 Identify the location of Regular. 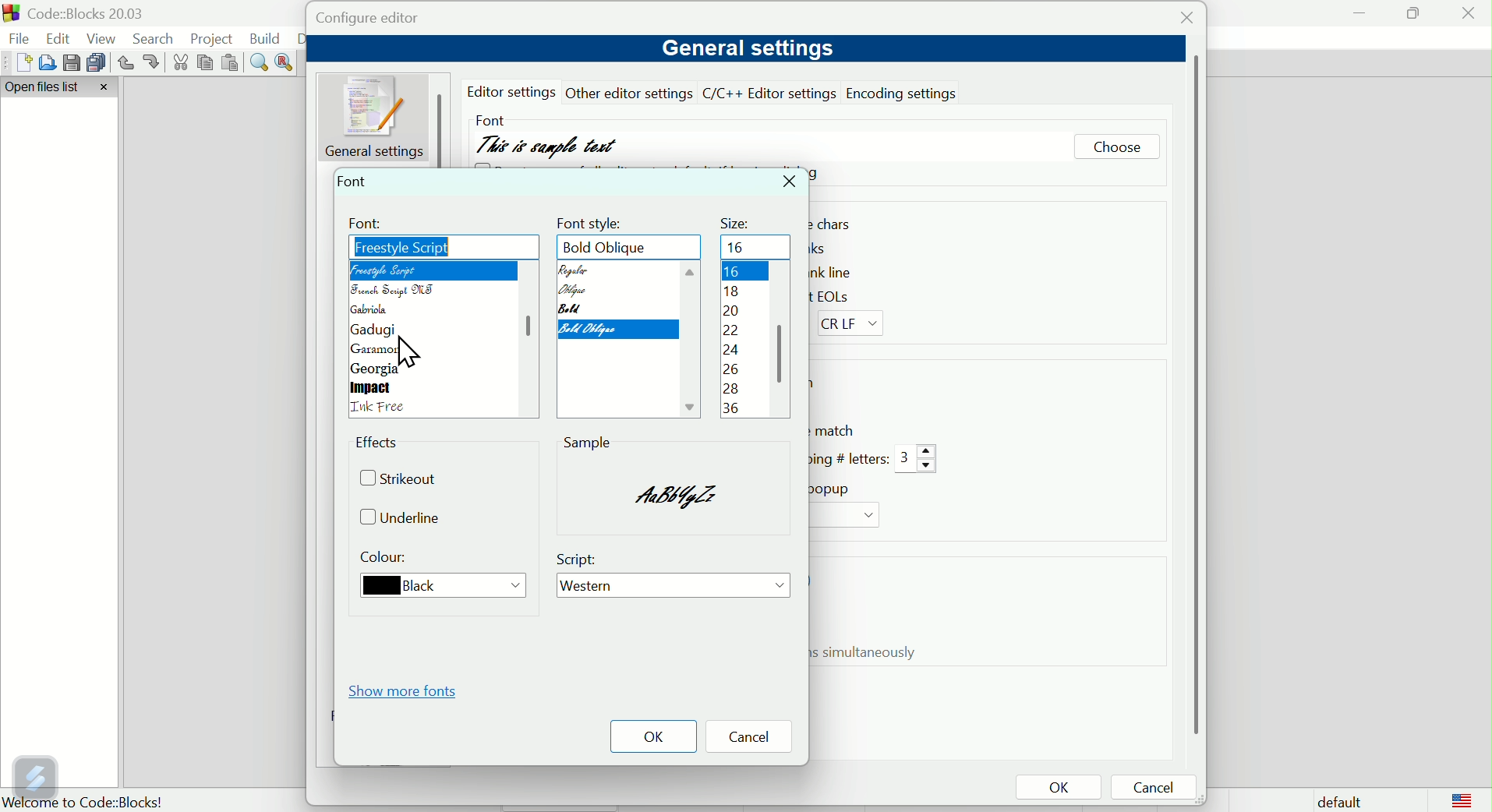
(575, 271).